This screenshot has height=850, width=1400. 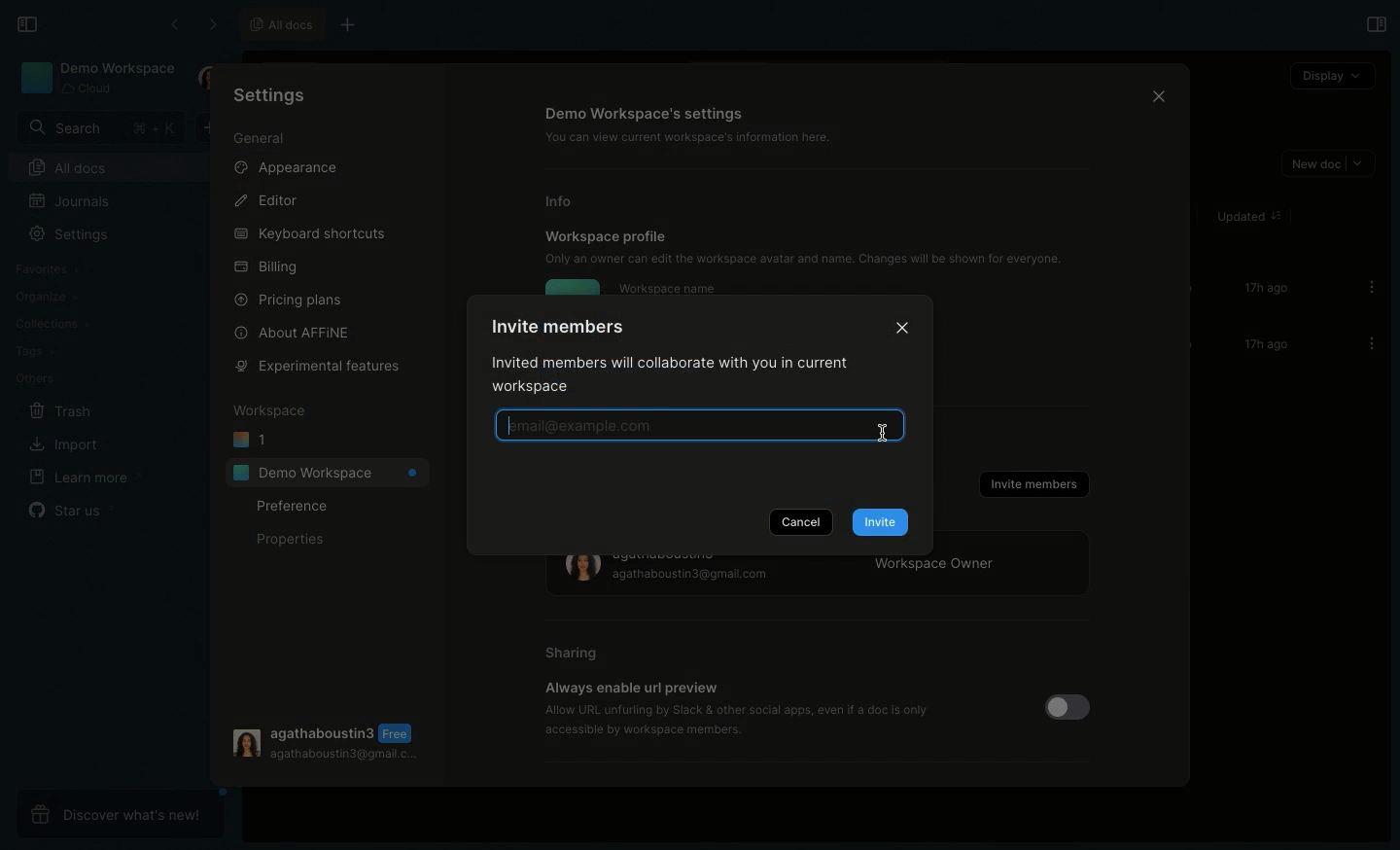 I want to click on About AFFINE, so click(x=296, y=333).